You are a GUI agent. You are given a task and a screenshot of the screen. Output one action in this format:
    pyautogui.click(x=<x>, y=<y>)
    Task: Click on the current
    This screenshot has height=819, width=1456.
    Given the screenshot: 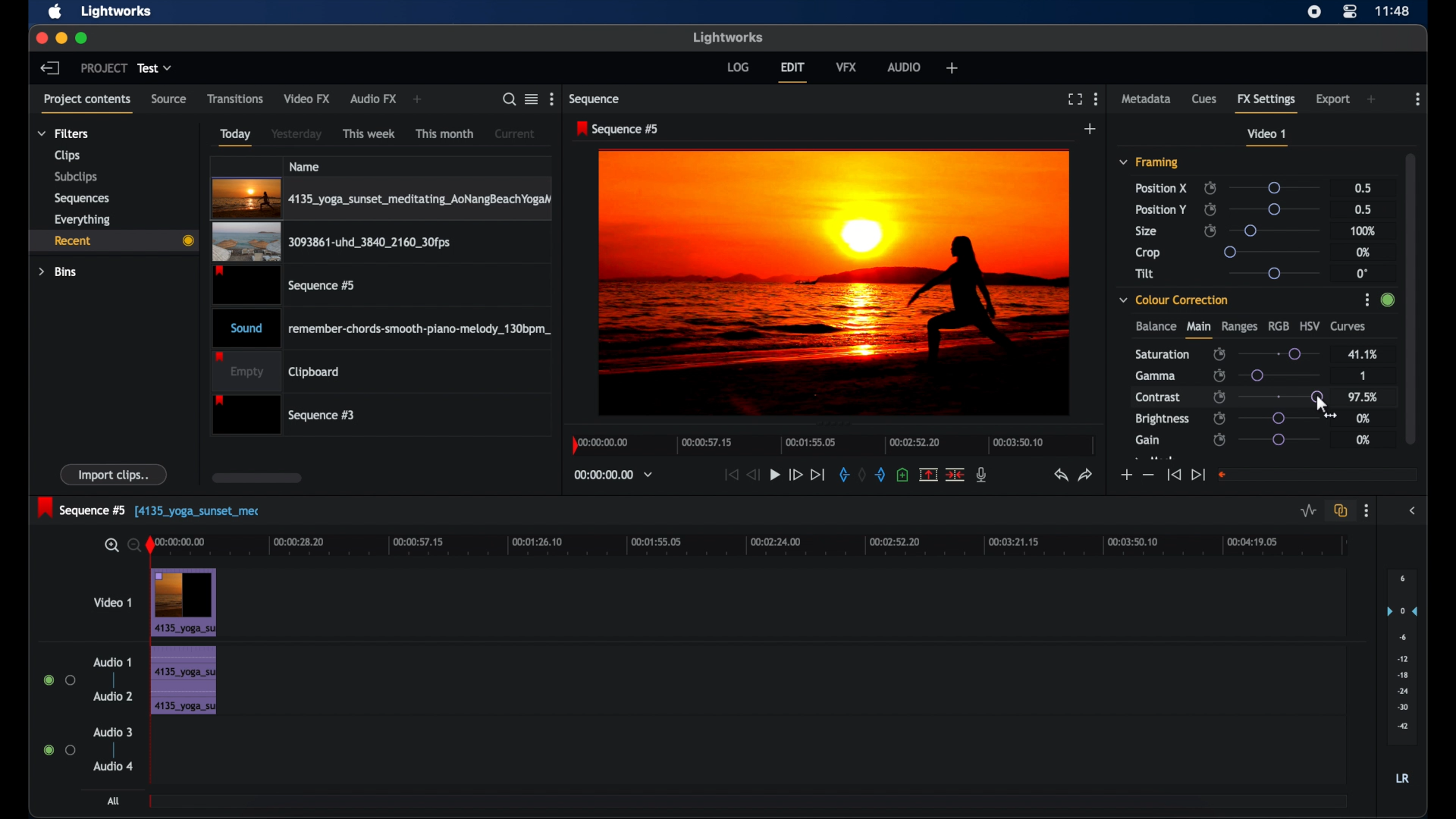 What is the action you would take?
    pyautogui.click(x=515, y=133)
    